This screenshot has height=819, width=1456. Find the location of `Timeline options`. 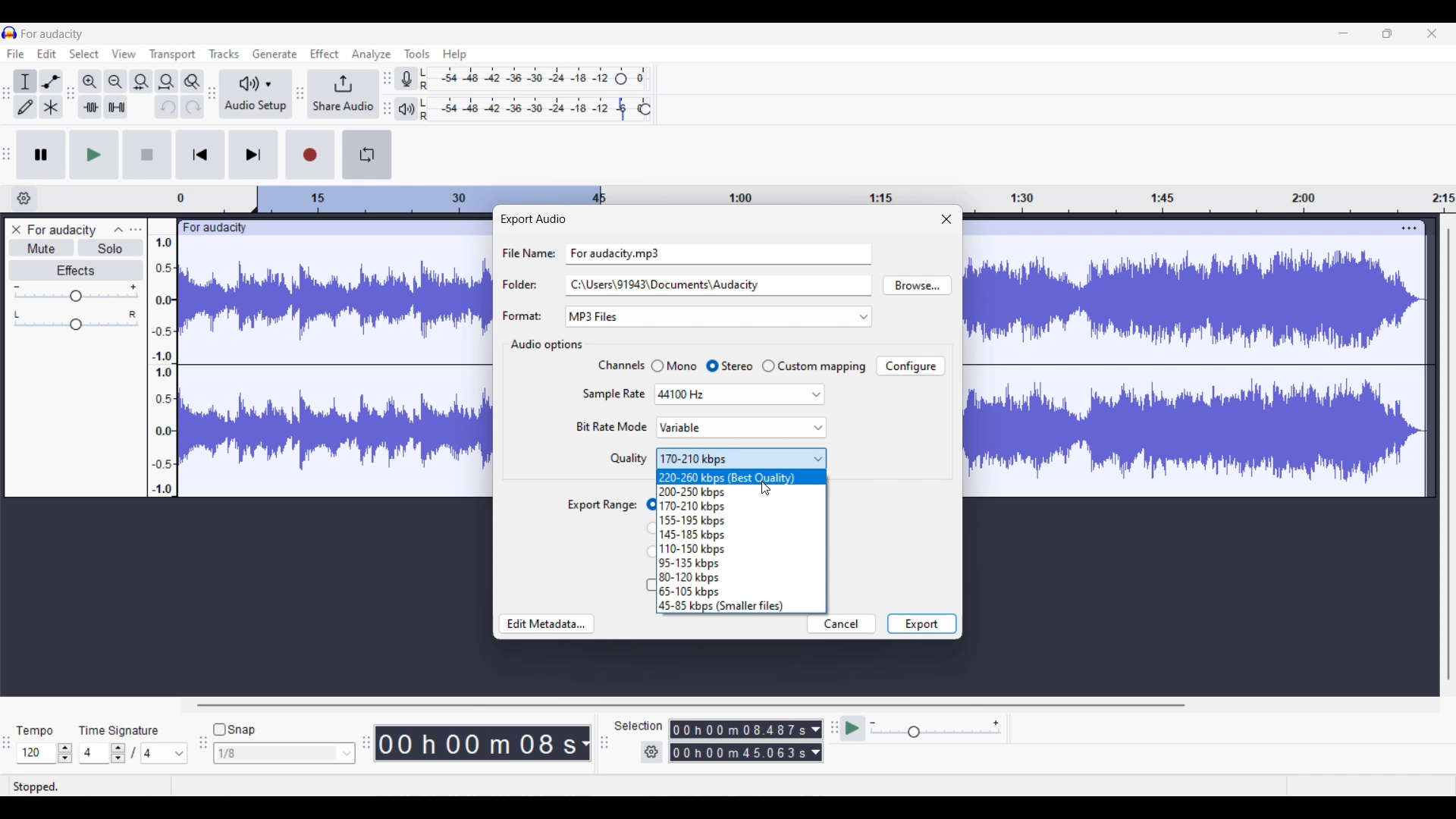

Timeline options is located at coordinates (24, 199).